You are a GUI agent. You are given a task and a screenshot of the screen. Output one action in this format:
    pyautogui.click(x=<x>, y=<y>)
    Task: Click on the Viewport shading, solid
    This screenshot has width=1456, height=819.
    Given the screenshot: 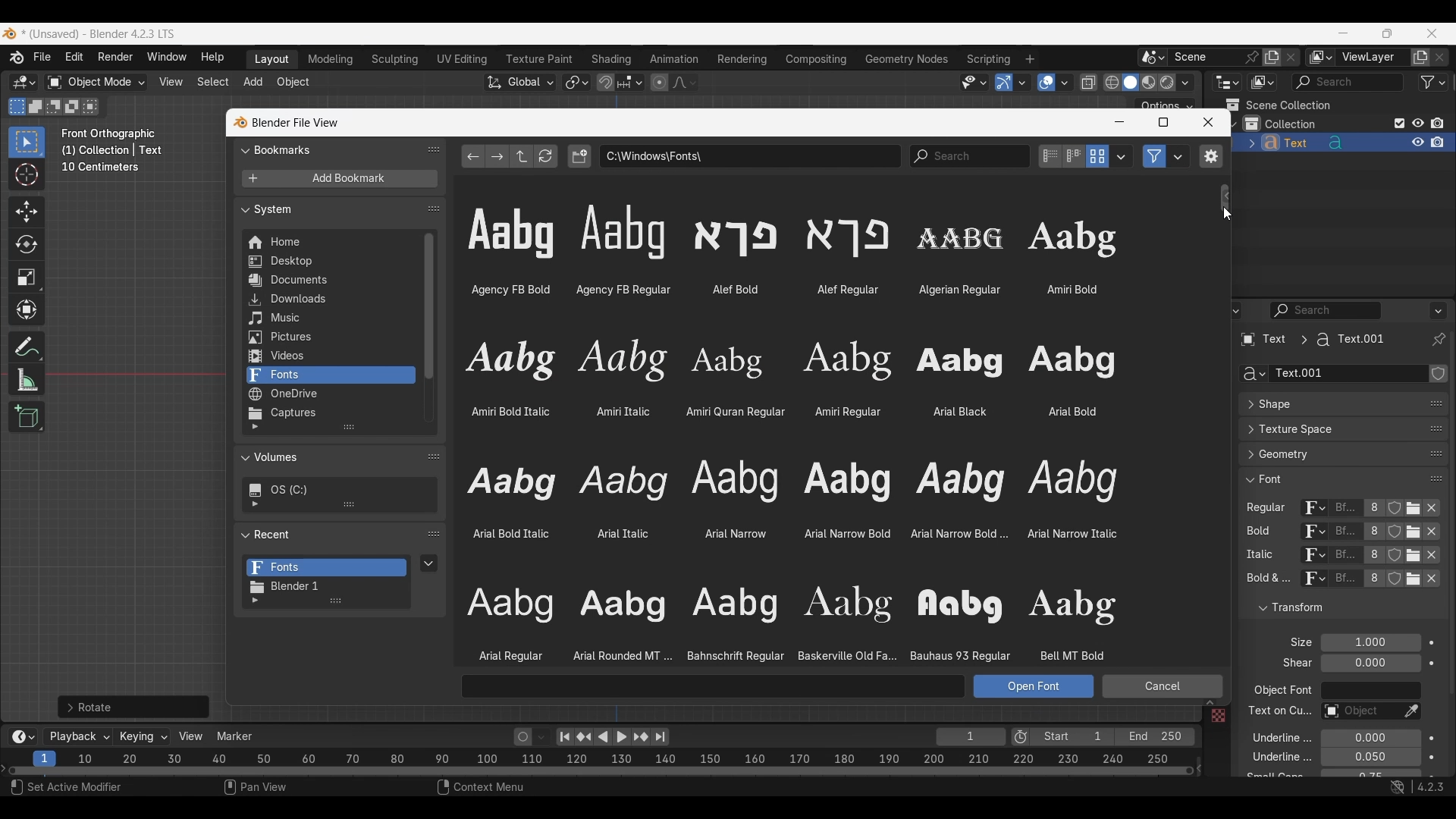 What is the action you would take?
    pyautogui.click(x=1130, y=83)
    